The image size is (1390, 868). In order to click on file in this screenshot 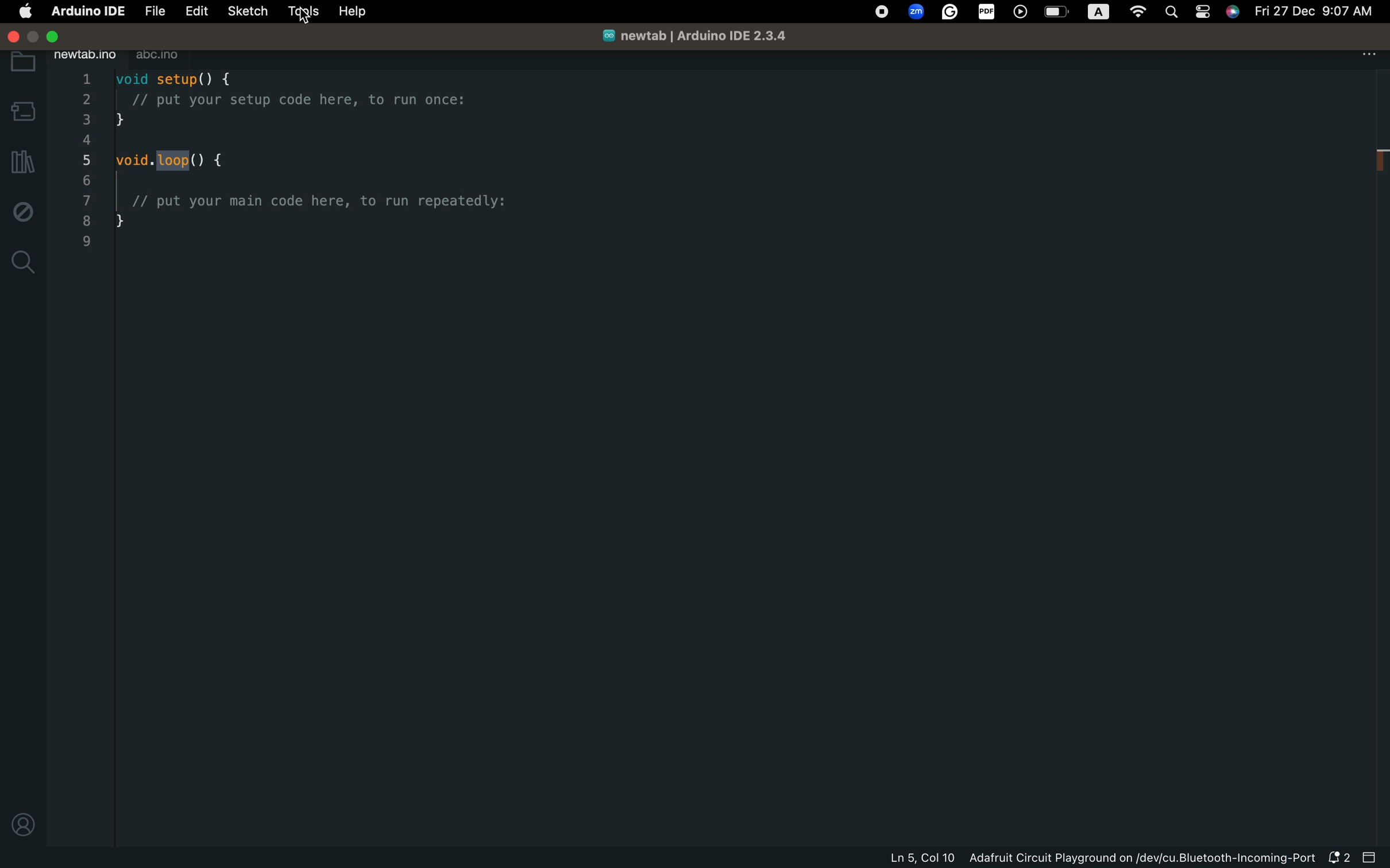, I will do `click(153, 11)`.